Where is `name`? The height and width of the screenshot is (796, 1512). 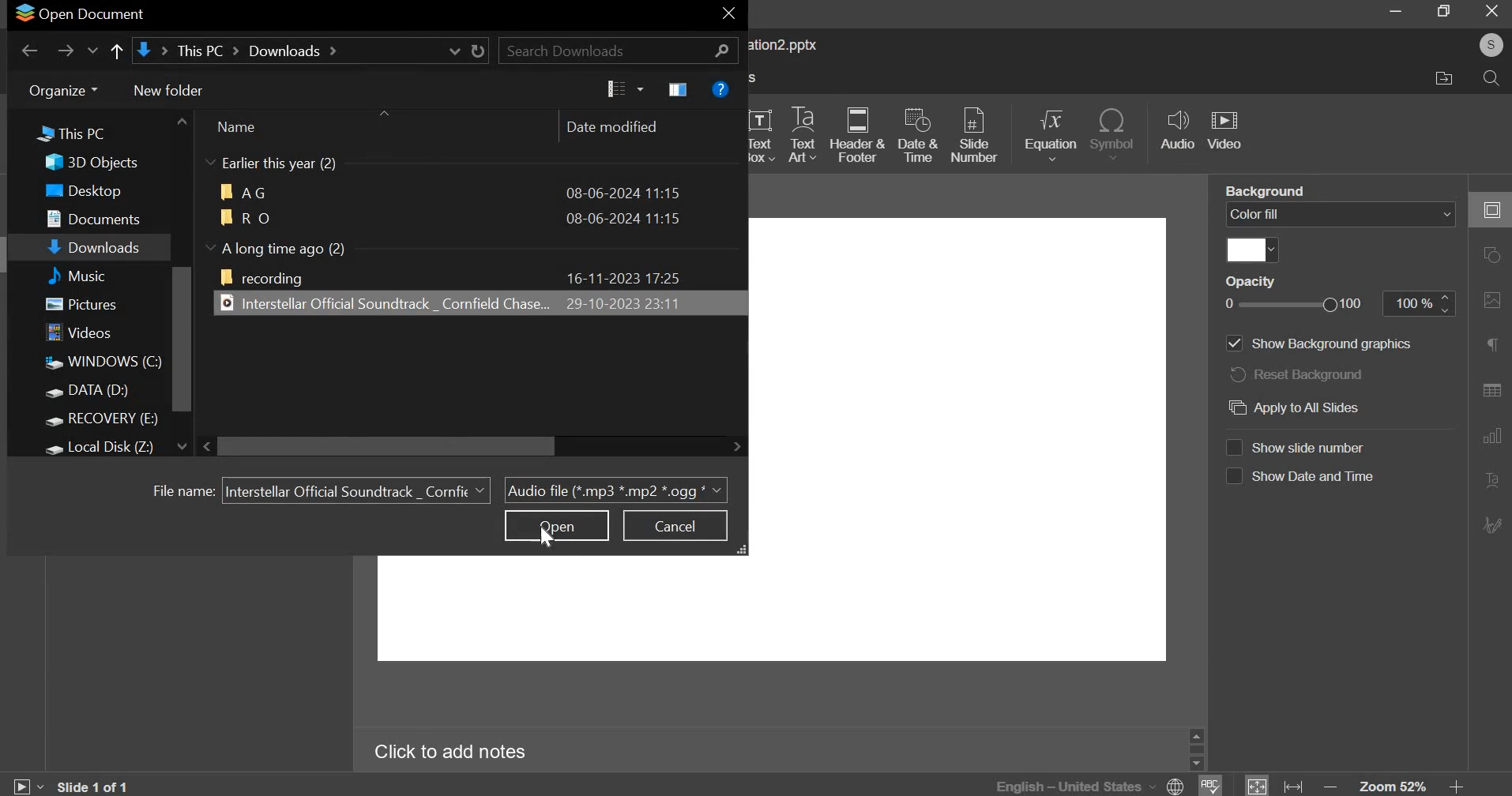 name is located at coordinates (244, 127).